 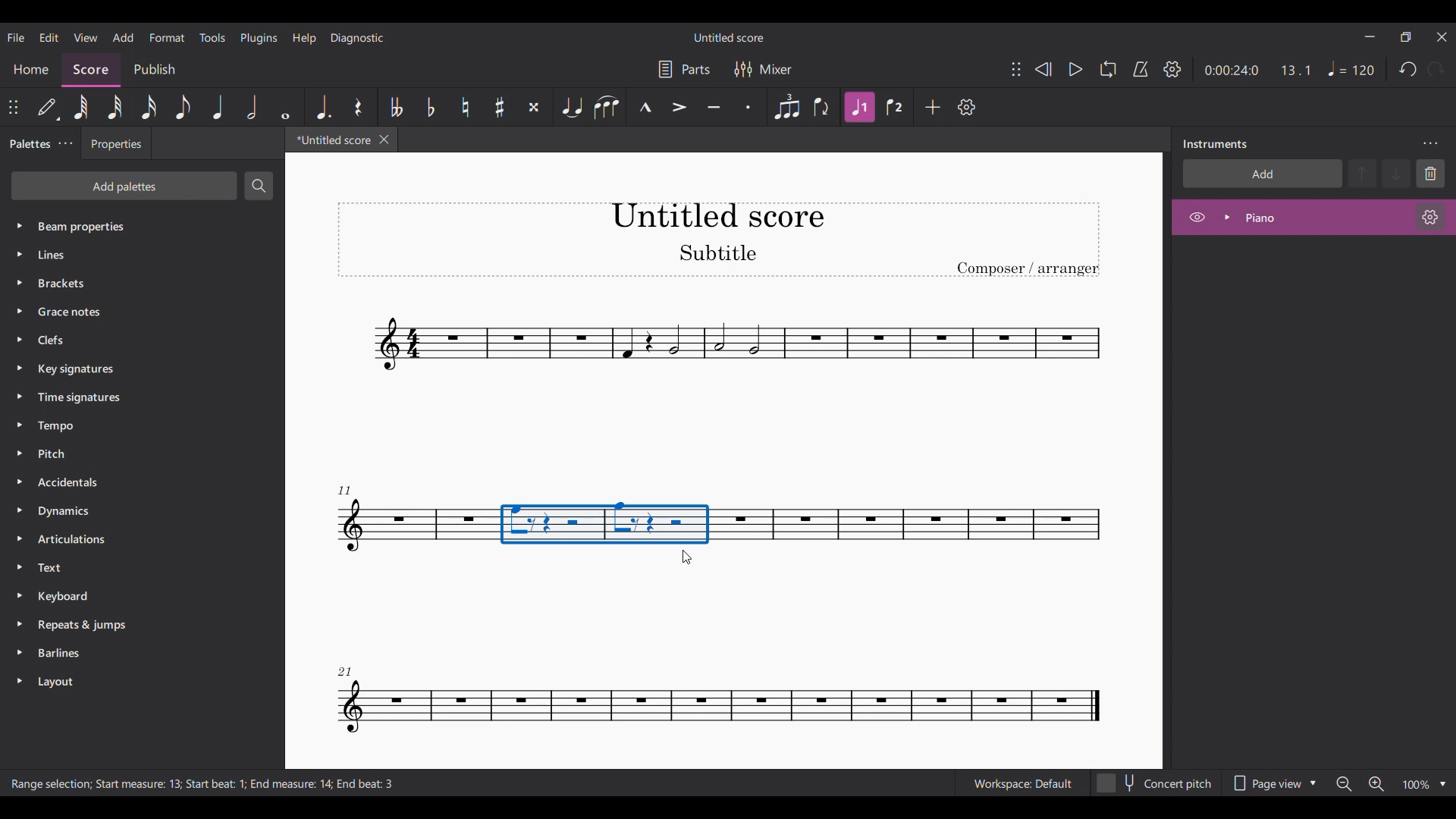 What do you see at coordinates (822, 108) in the screenshot?
I see `Flip direction` at bounding box center [822, 108].